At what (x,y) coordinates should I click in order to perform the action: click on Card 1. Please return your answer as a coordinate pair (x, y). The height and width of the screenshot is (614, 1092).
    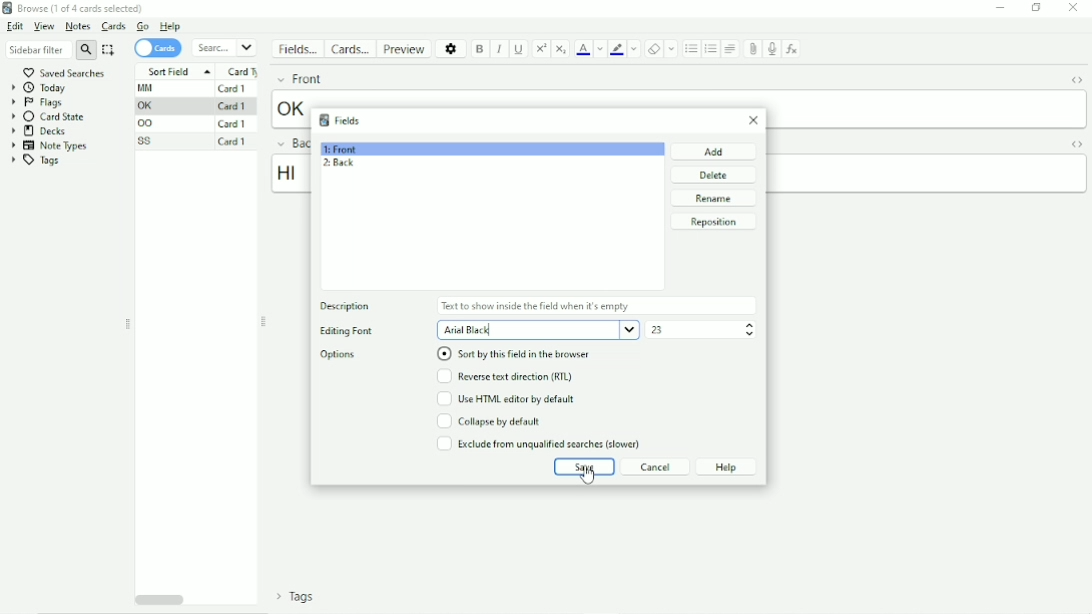
    Looking at the image, I should click on (234, 142).